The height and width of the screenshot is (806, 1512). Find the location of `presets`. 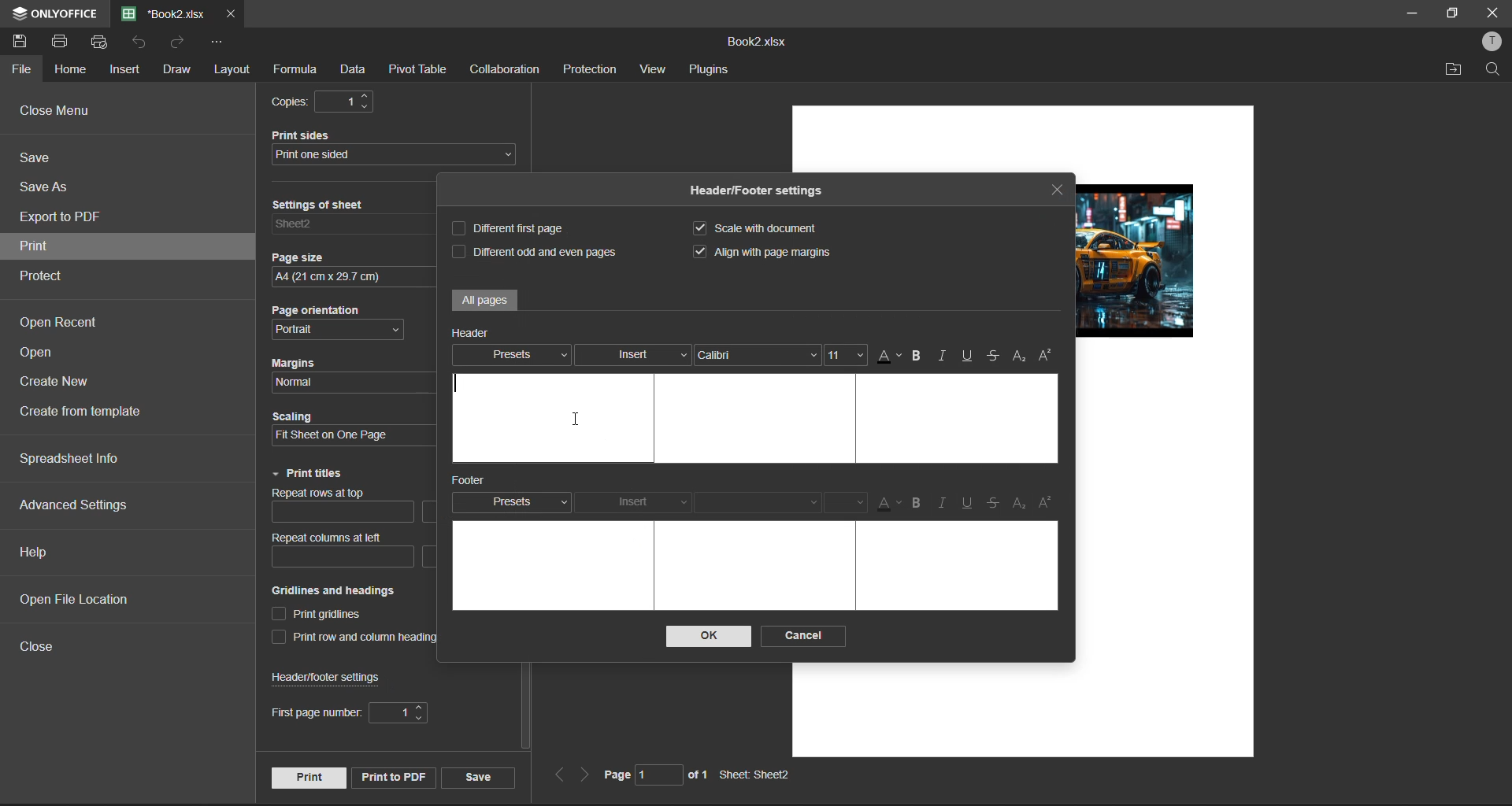

presets is located at coordinates (516, 355).